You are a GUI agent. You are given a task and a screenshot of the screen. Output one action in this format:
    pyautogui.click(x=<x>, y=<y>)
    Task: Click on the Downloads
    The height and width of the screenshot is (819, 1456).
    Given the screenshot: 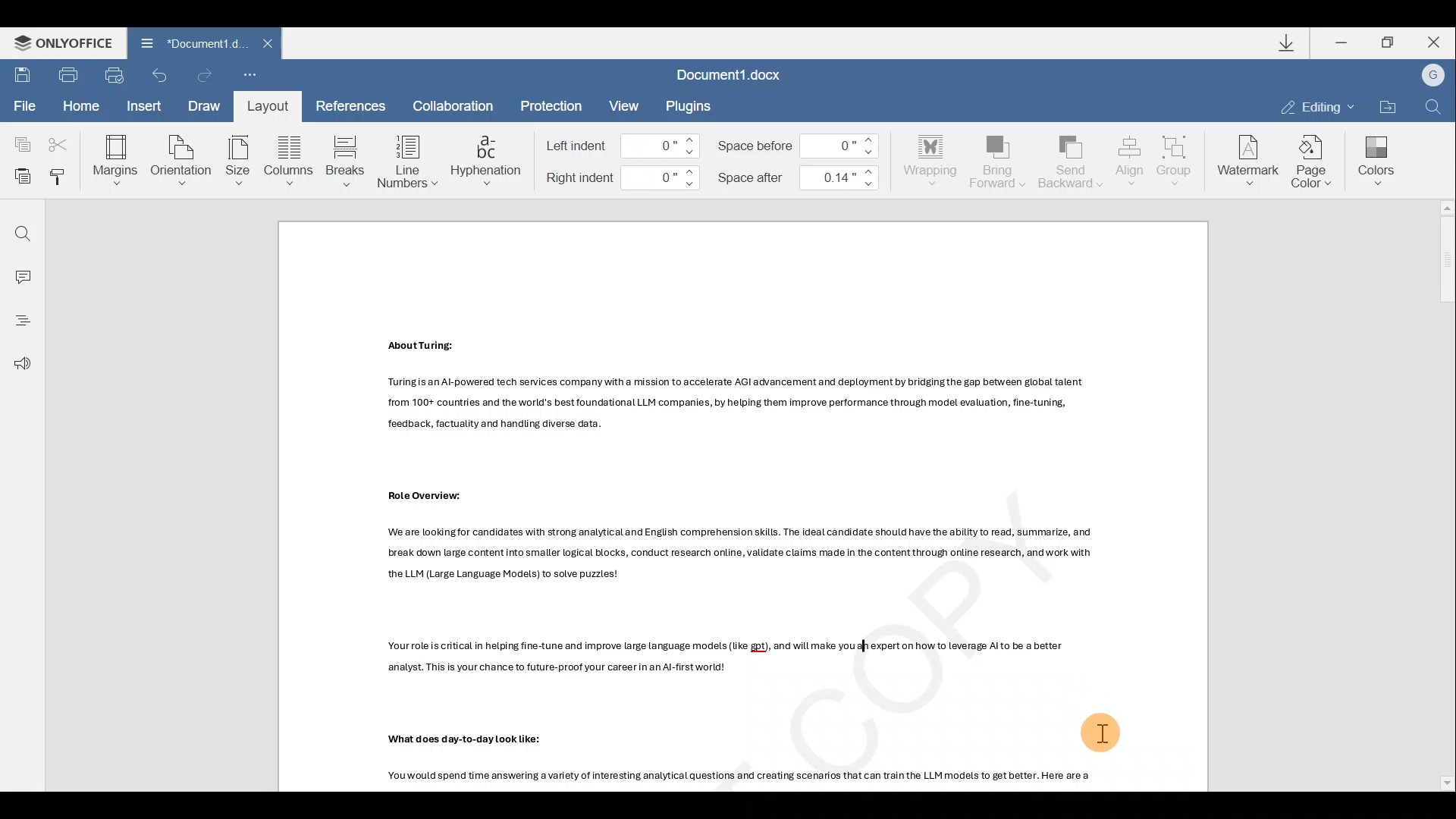 What is the action you would take?
    pyautogui.click(x=1292, y=45)
    